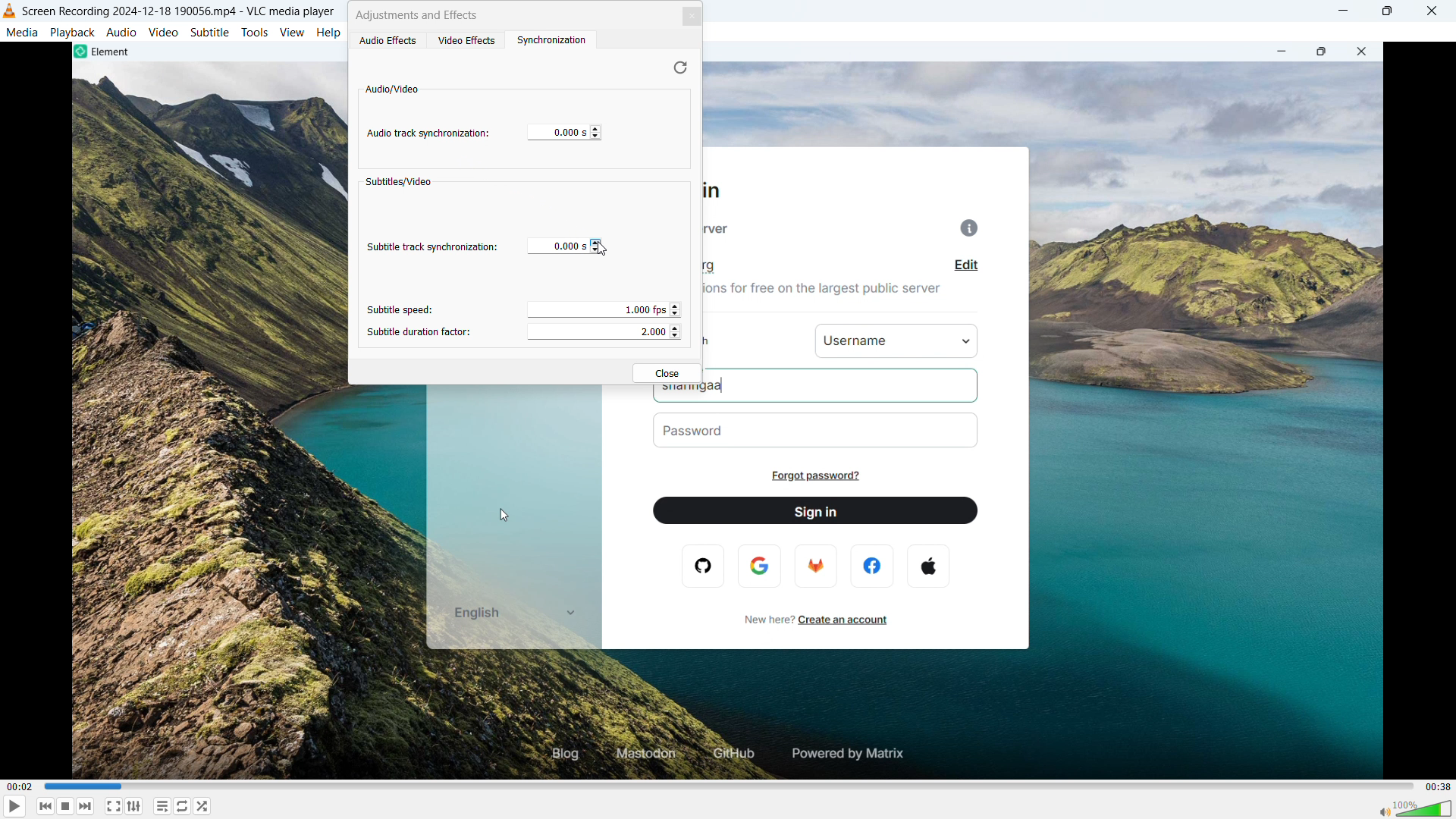  Describe the element at coordinates (399, 182) in the screenshot. I see `subtitles/video` at that location.